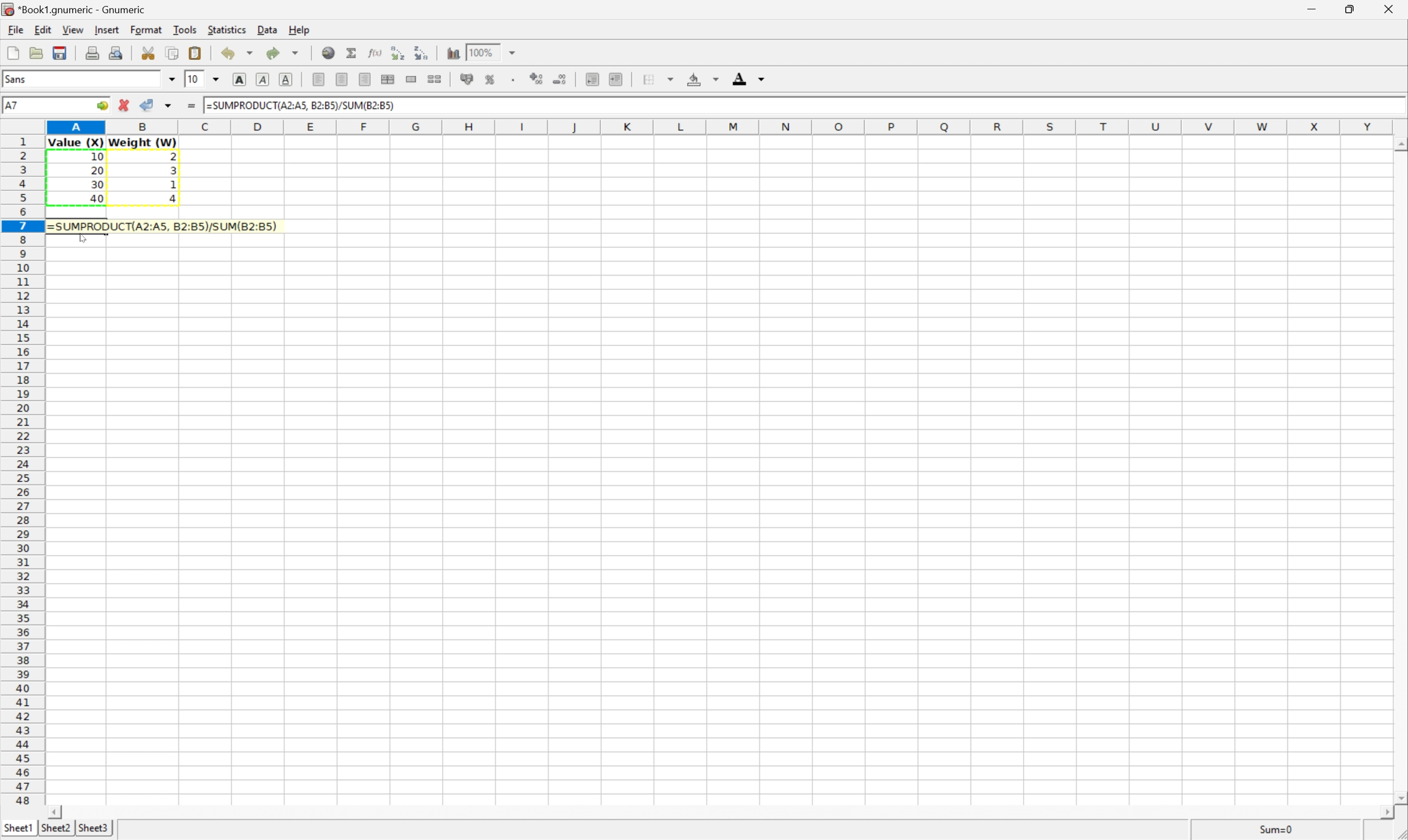  Describe the element at coordinates (172, 185) in the screenshot. I see `1` at that location.